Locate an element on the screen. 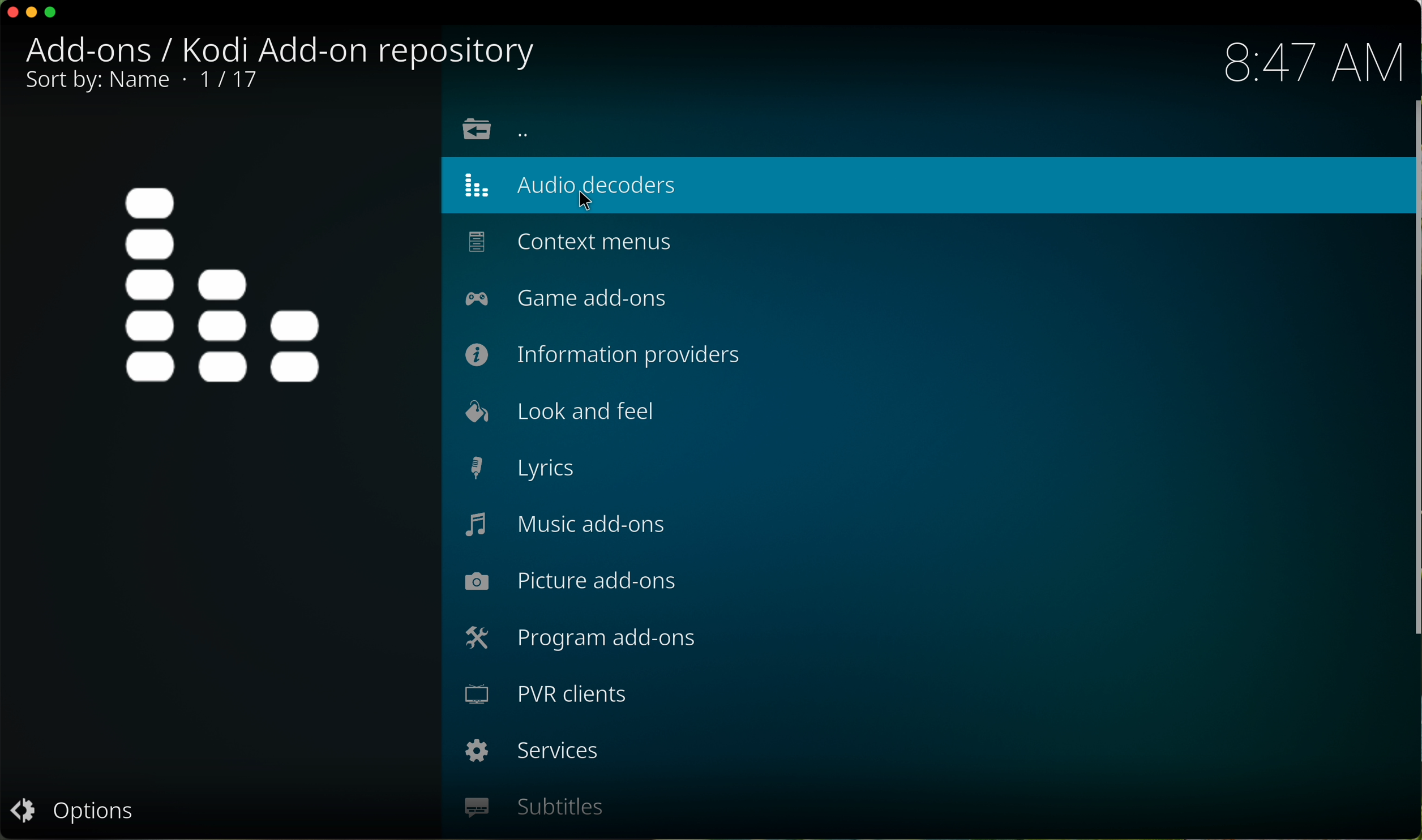  click on audio decoders is located at coordinates (584, 184).